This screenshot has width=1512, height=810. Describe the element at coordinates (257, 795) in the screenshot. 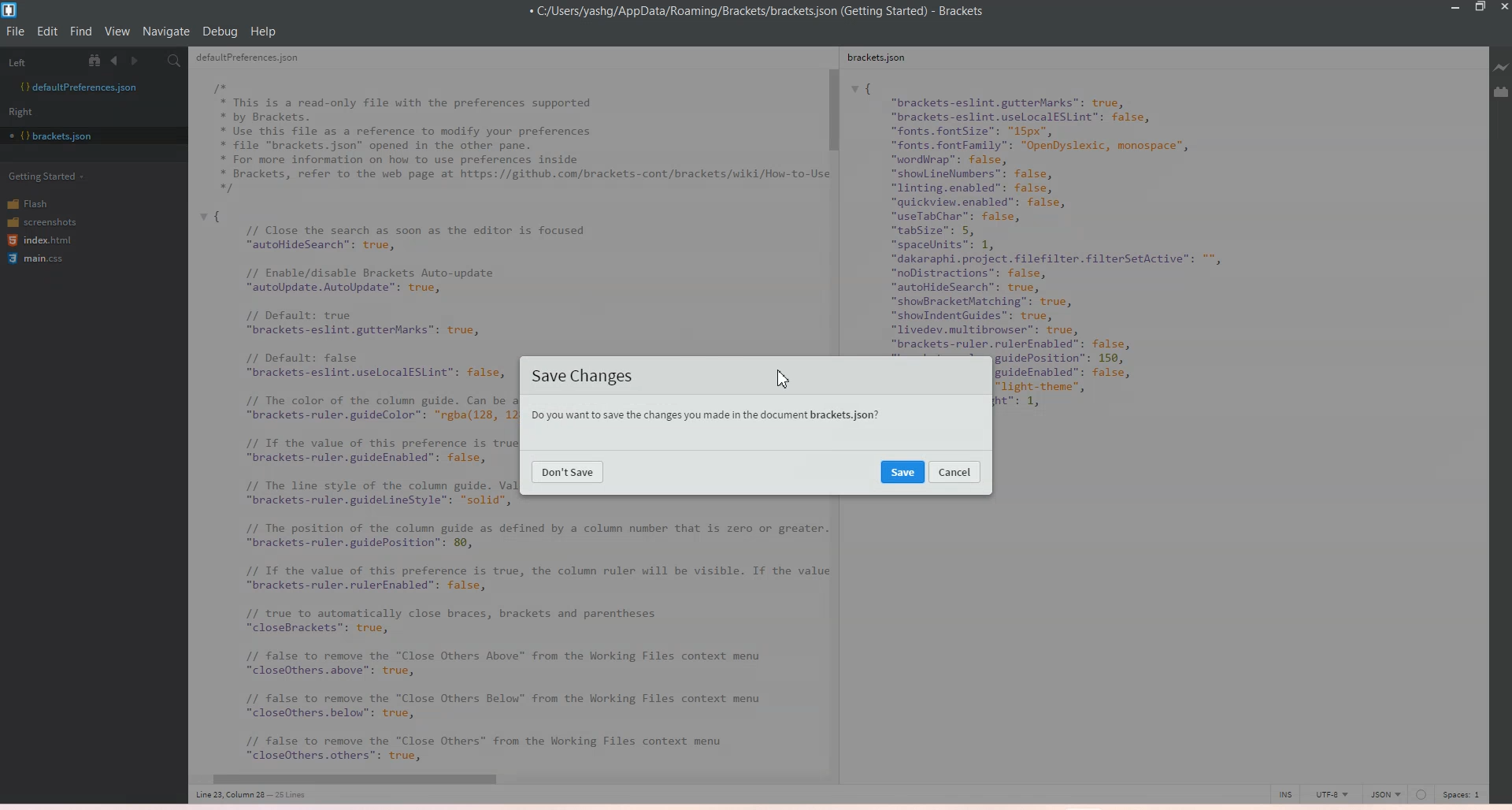

I see `Line 23, Column 27 - 25 Lines` at that location.